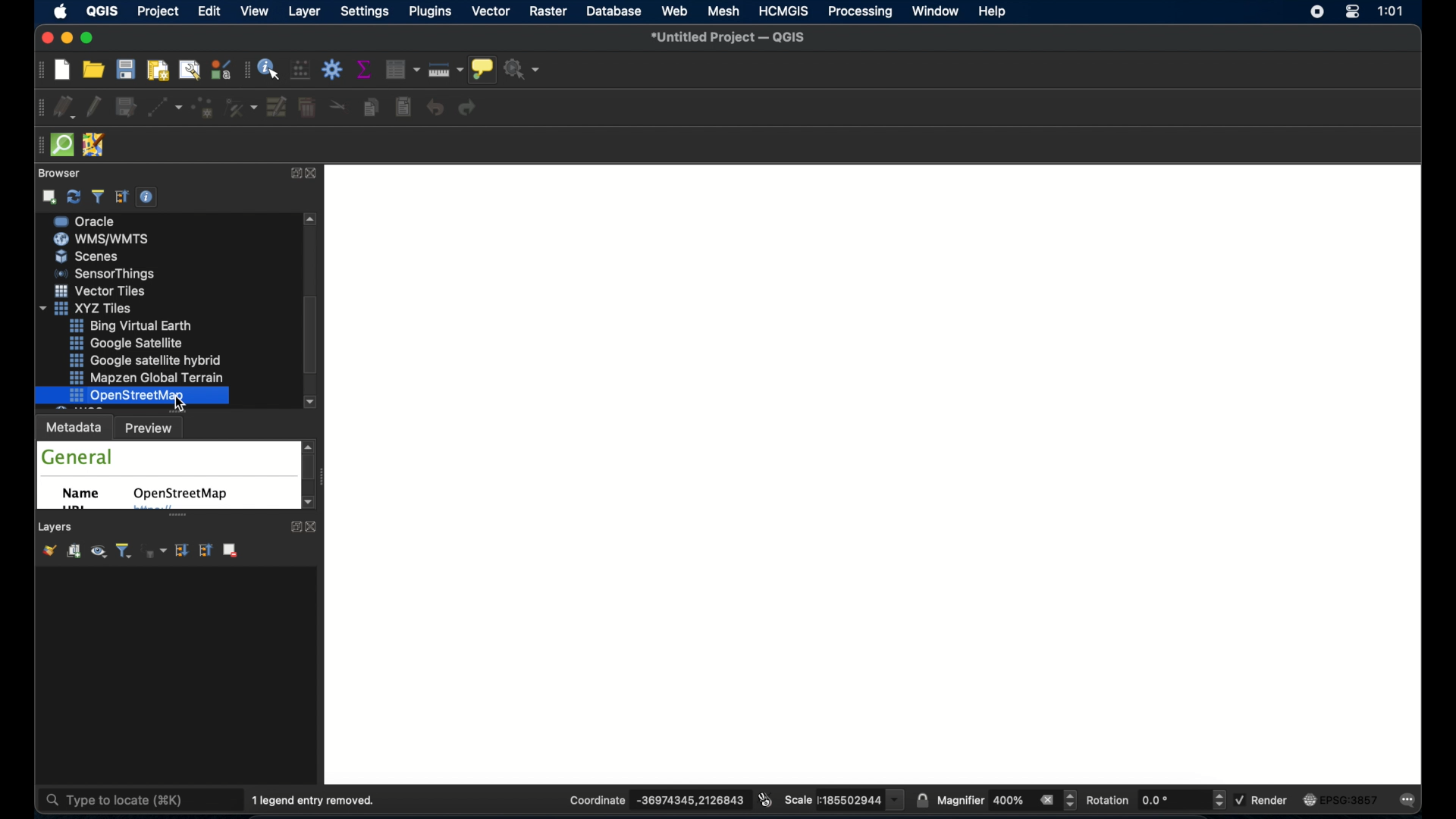 This screenshot has height=819, width=1456. I want to click on plugins, so click(429, 12).